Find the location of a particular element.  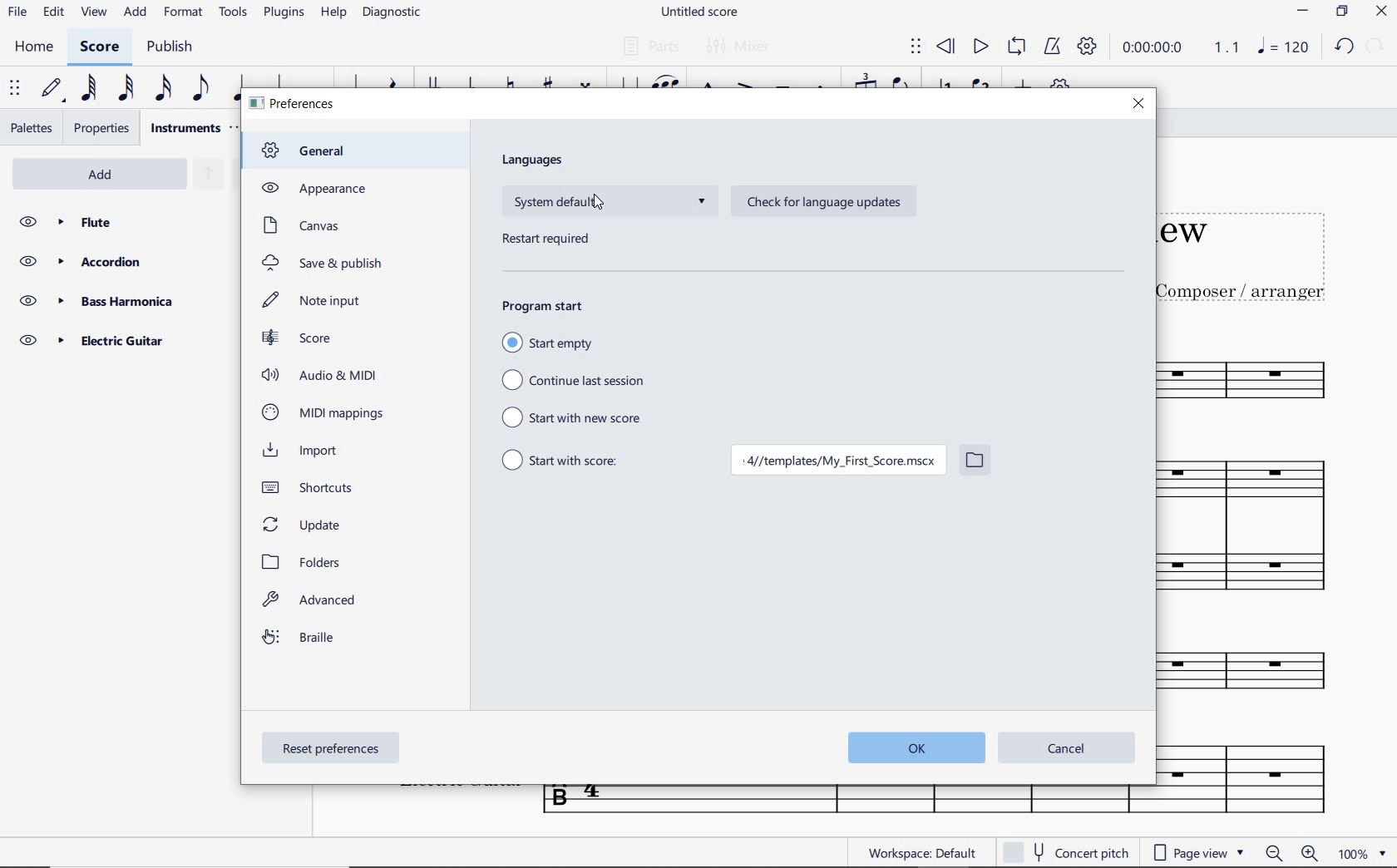

folders is located at coordinates (306, 562).